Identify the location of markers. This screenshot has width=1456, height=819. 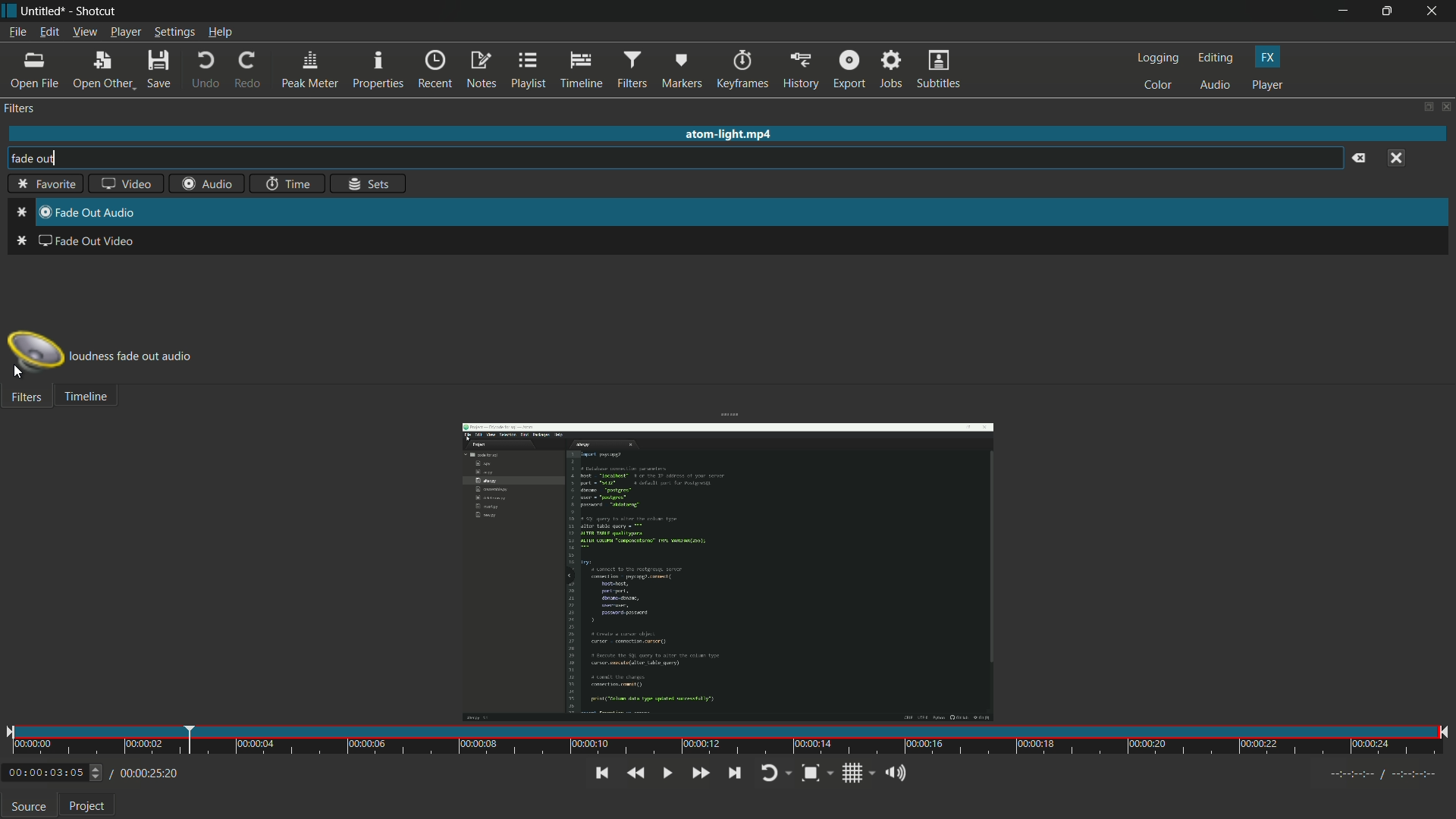
(682, 70).